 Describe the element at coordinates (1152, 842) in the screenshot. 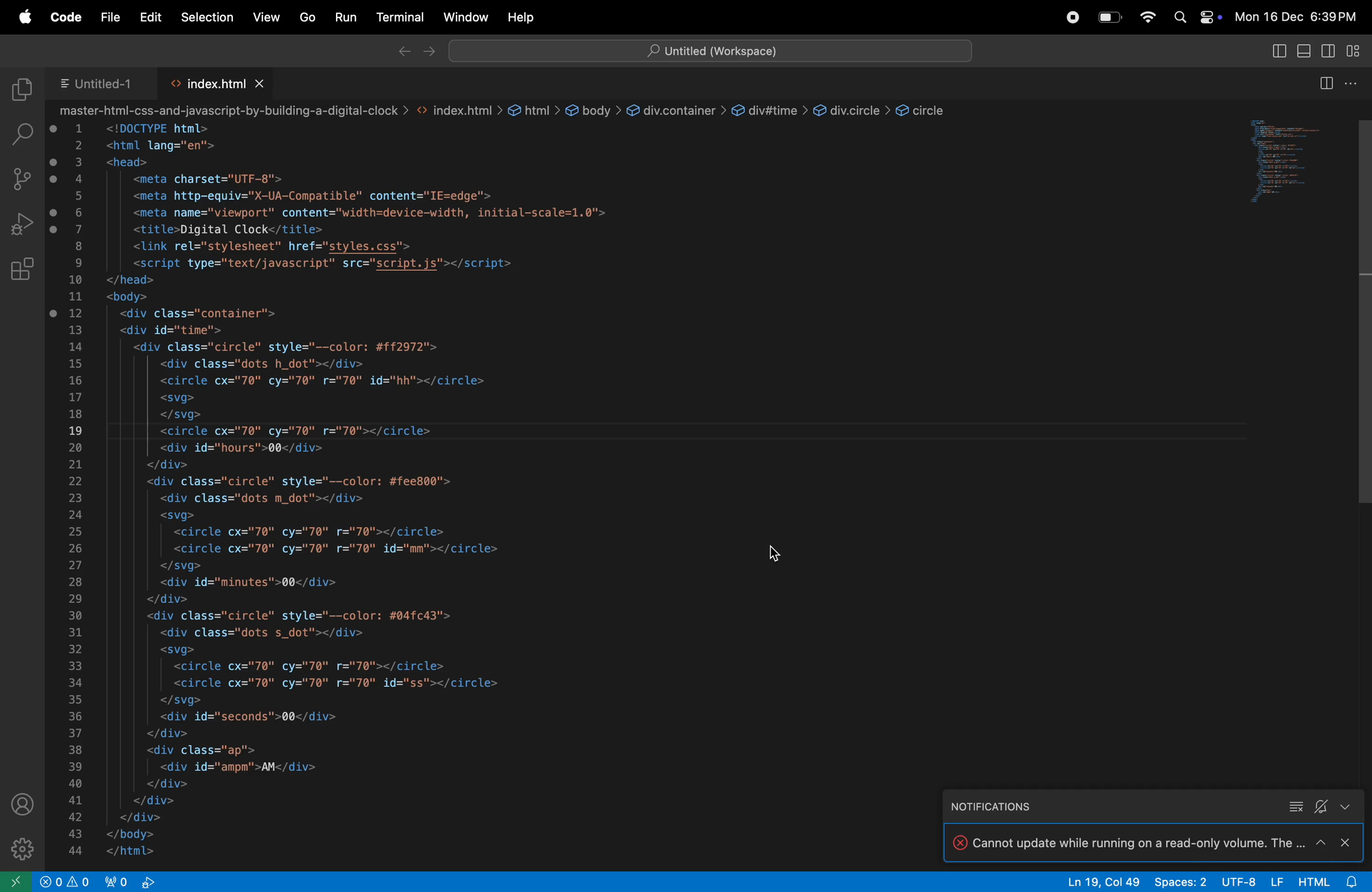

I see `cannot update windows` at that location.